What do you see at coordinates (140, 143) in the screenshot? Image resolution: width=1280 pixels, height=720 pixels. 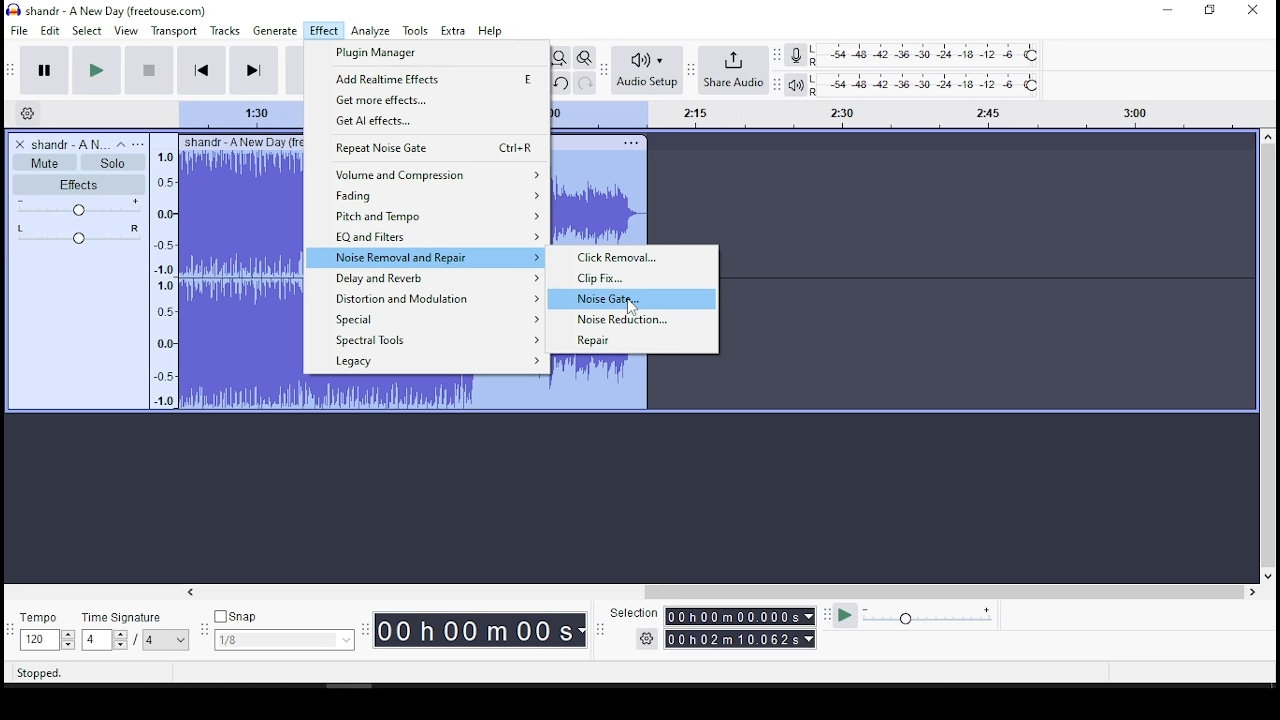 I see `open menu` at bounding box center [140, 143].